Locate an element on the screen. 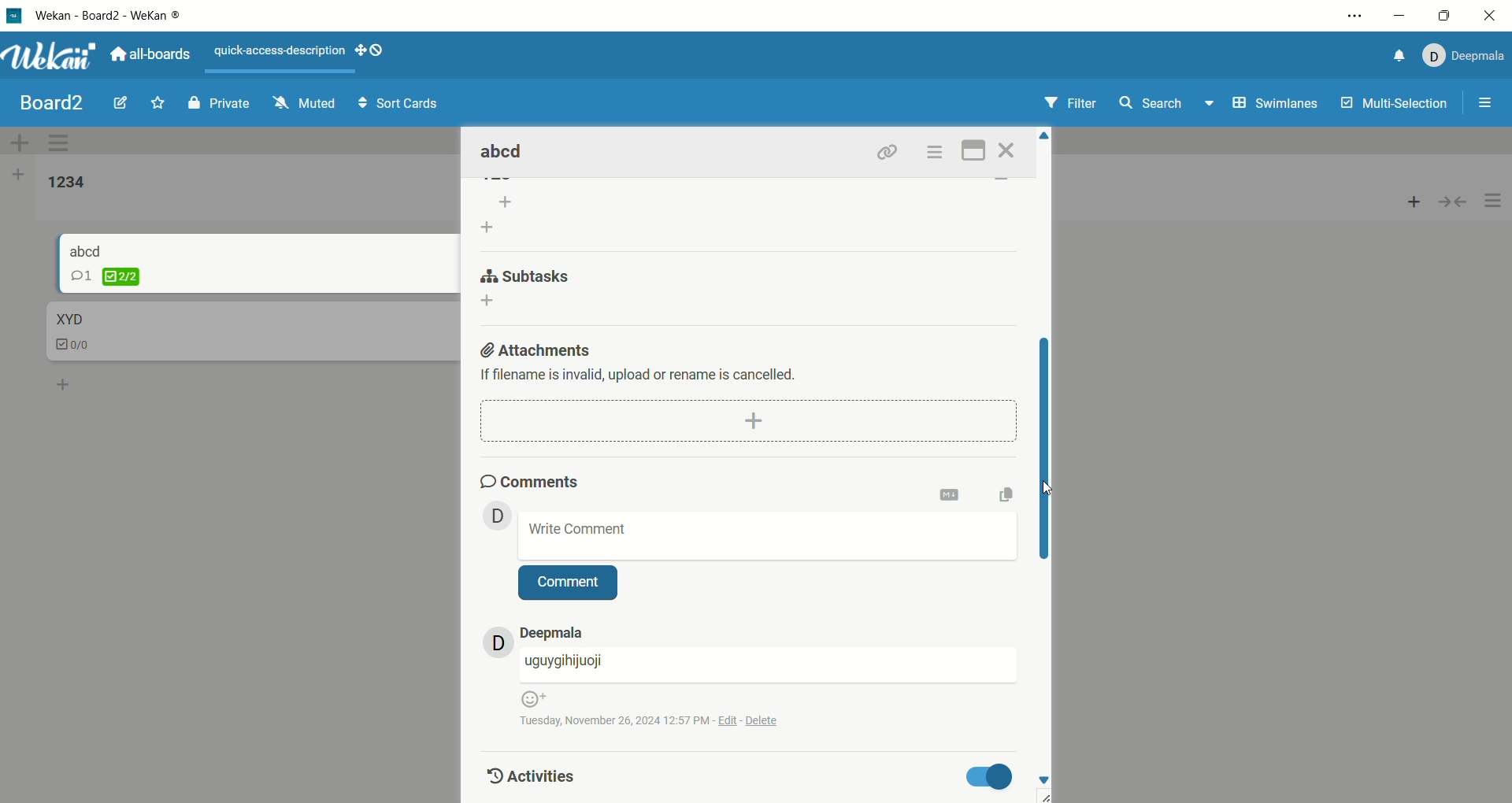 This screenshot has height=803, width=1512. options is located at coordinates (1494, 202).